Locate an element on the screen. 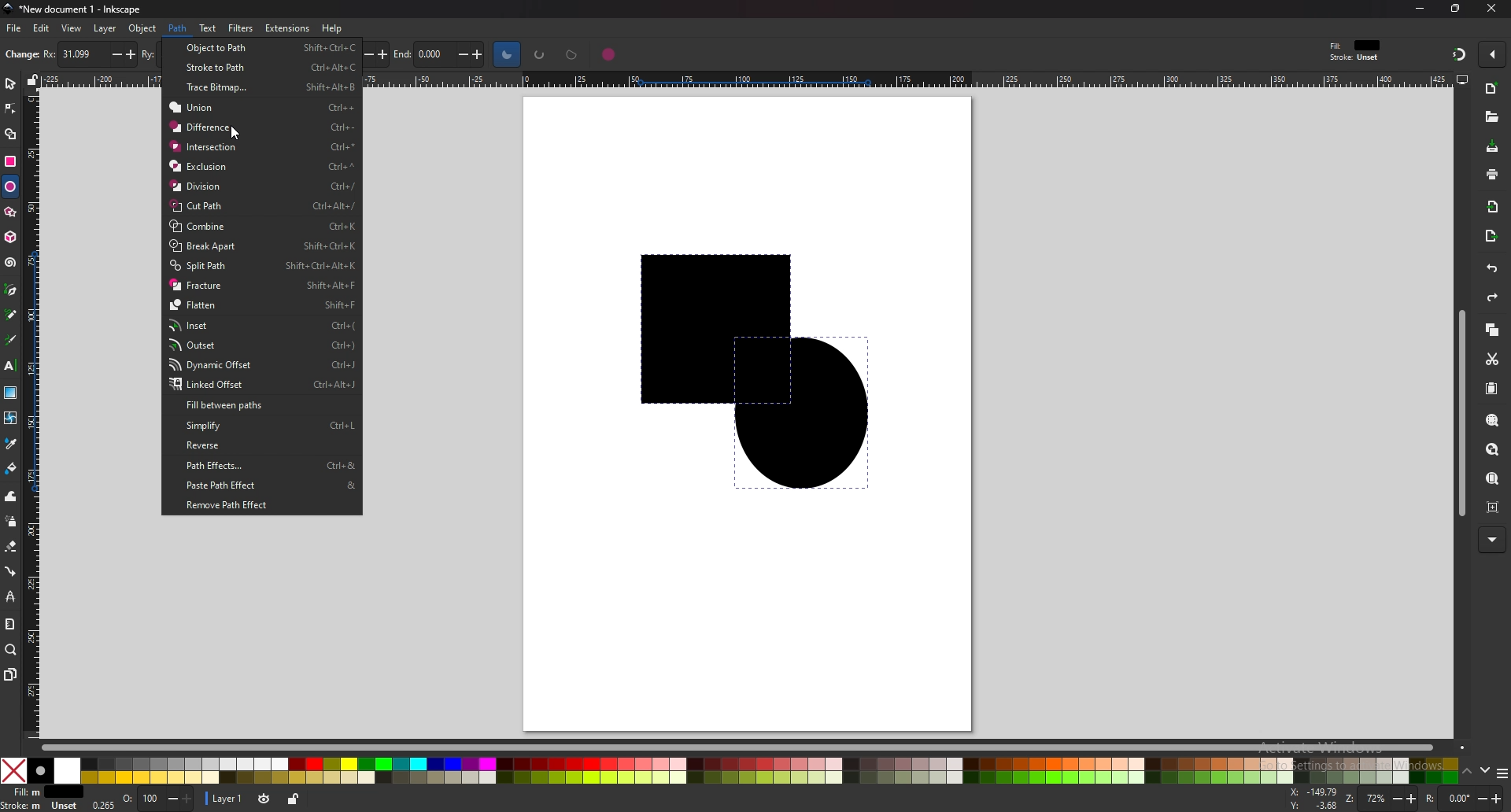  fill is located at coordinates (42, 792).